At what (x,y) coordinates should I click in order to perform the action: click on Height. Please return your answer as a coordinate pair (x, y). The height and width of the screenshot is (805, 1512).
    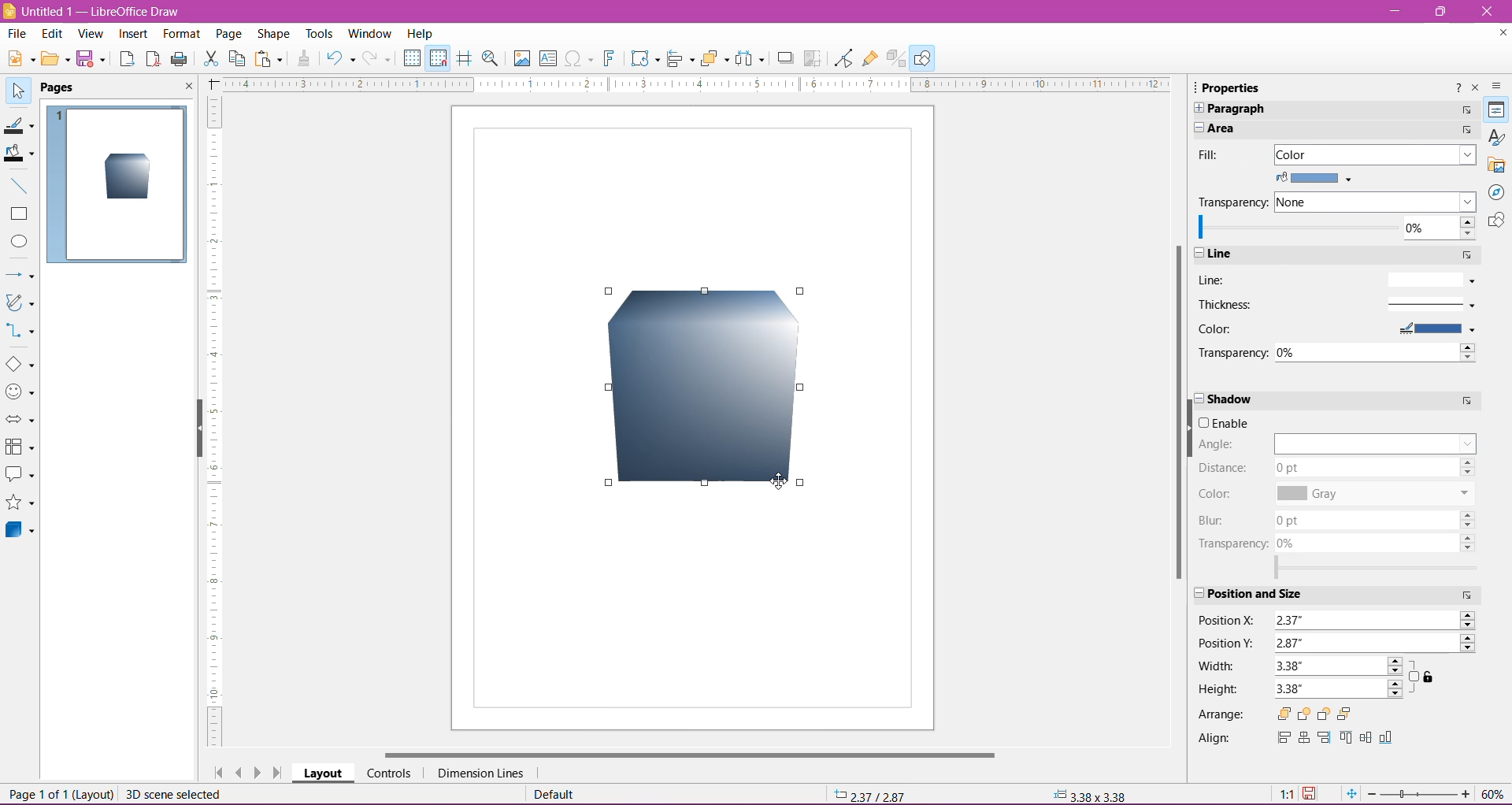
    Looking at the image, I should click on (1218, 690).